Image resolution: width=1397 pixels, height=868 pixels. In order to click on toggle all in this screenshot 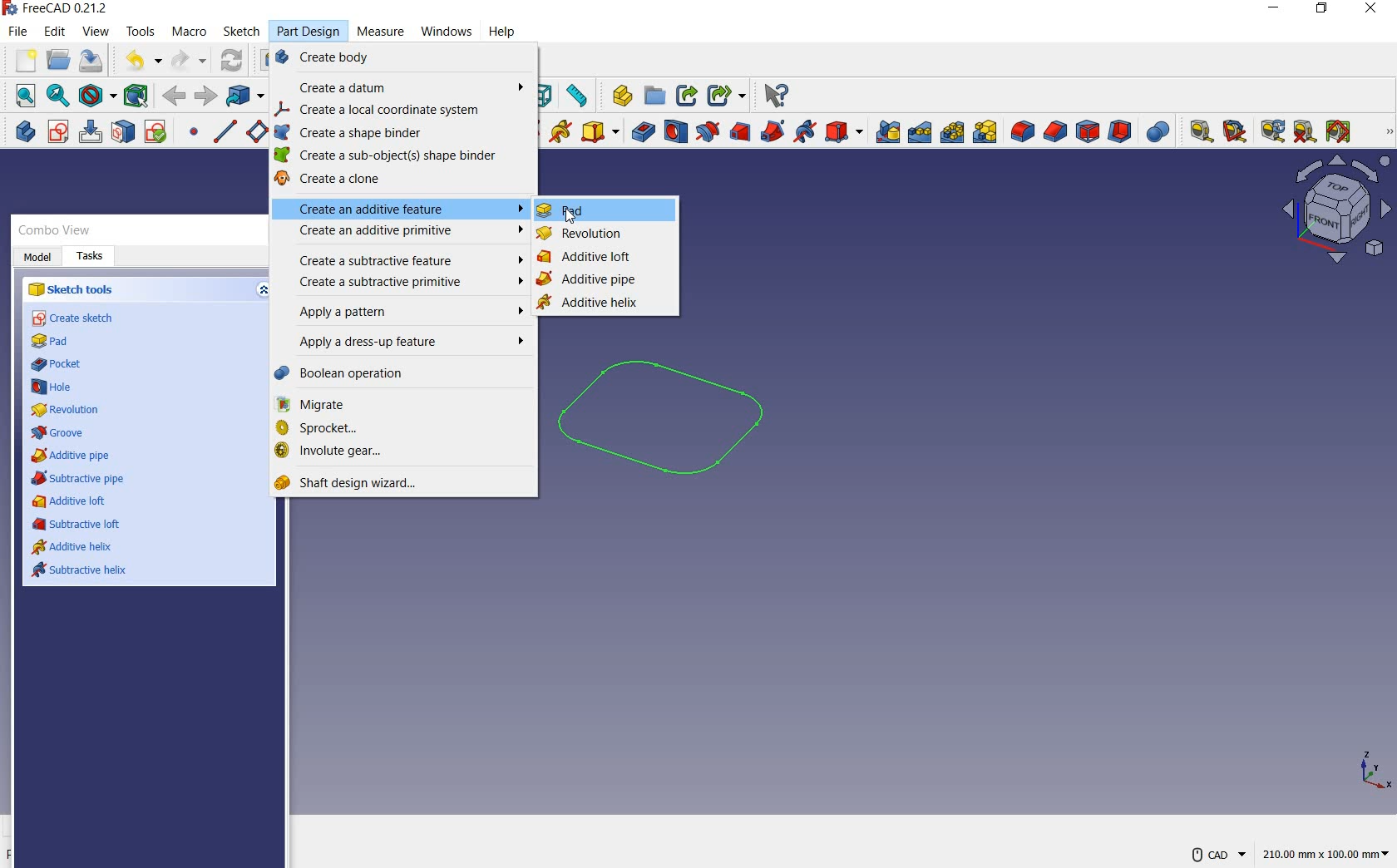, I will do `click(1341, 132)`.